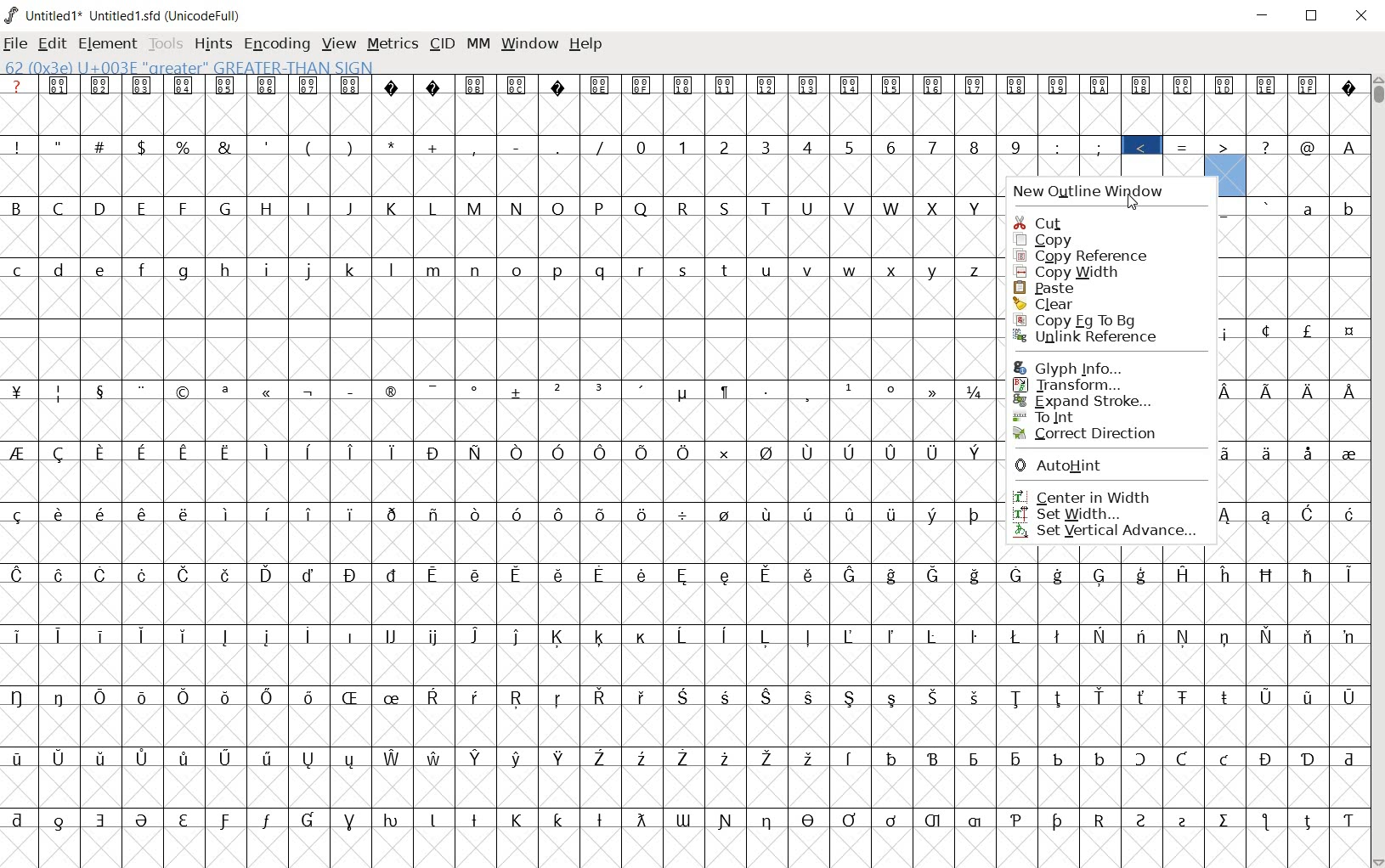 The height and width of the screenshot is (868, 1385). What do you see at coordinates (1097, 495) in the screenshot?
I see `center in width` at bounding box center [1097, 495].